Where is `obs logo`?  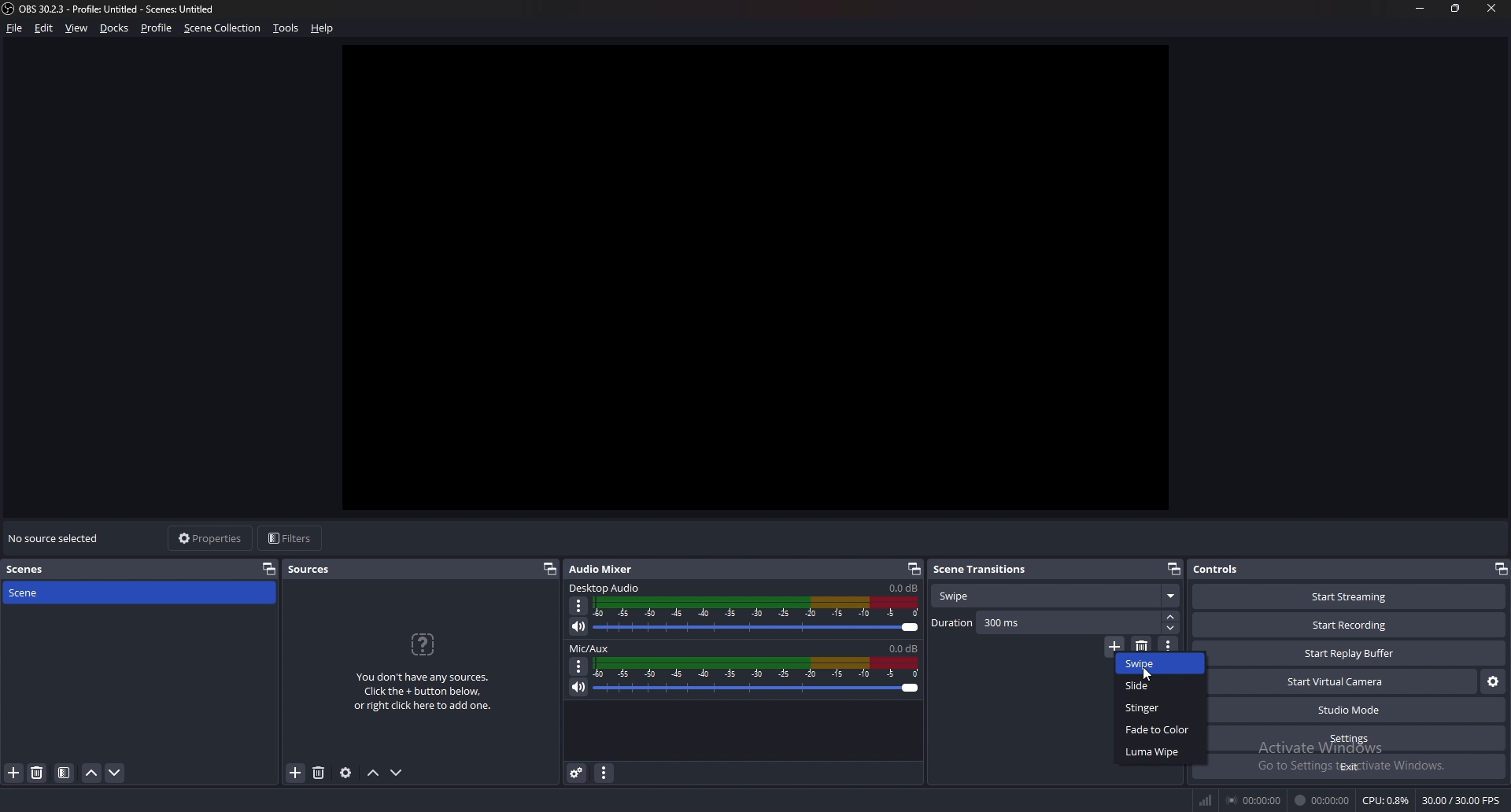 obs logo is located at coordinates (9, 10).